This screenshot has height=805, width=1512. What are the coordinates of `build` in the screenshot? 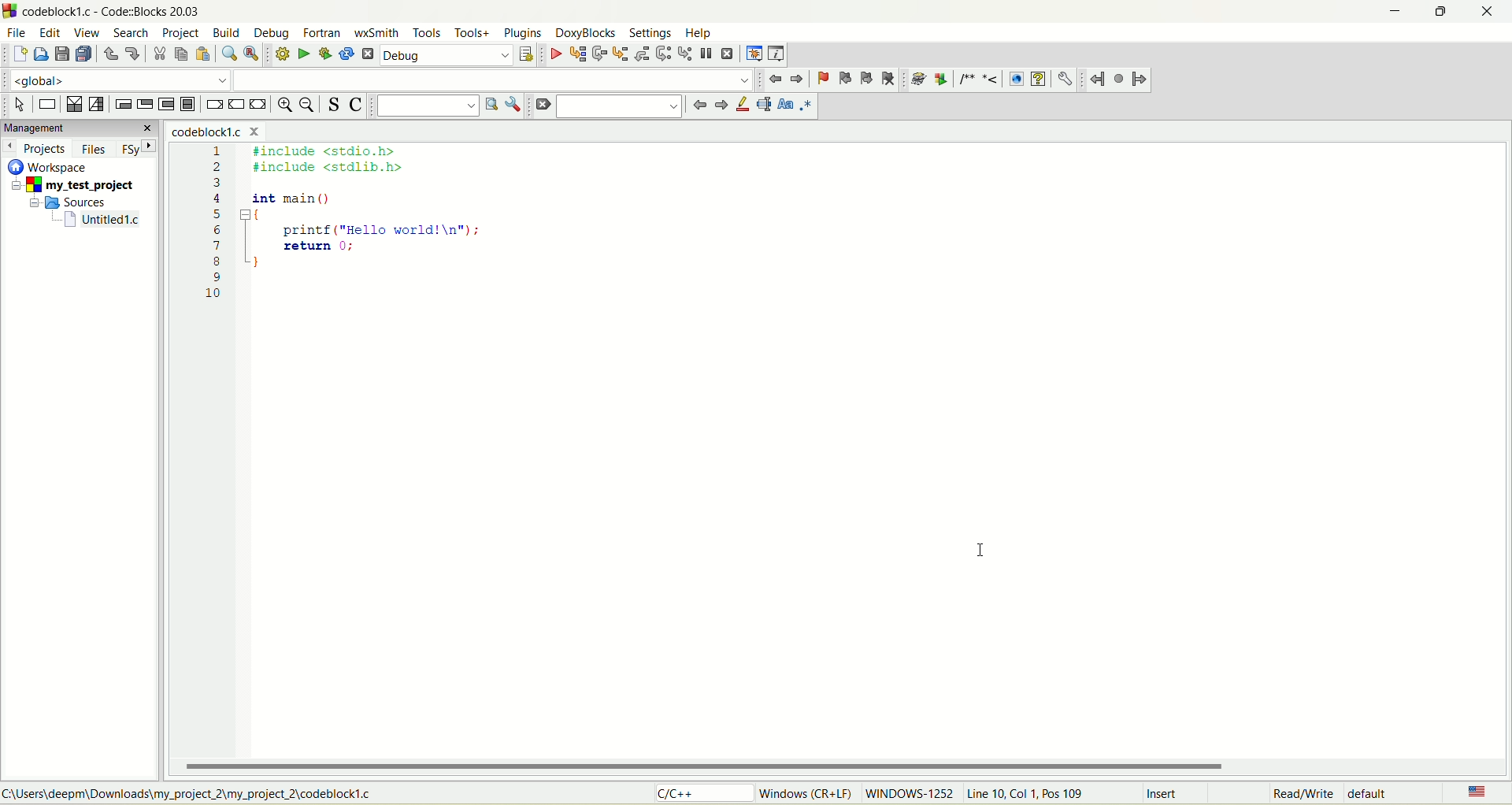 It's located at (228, 34).